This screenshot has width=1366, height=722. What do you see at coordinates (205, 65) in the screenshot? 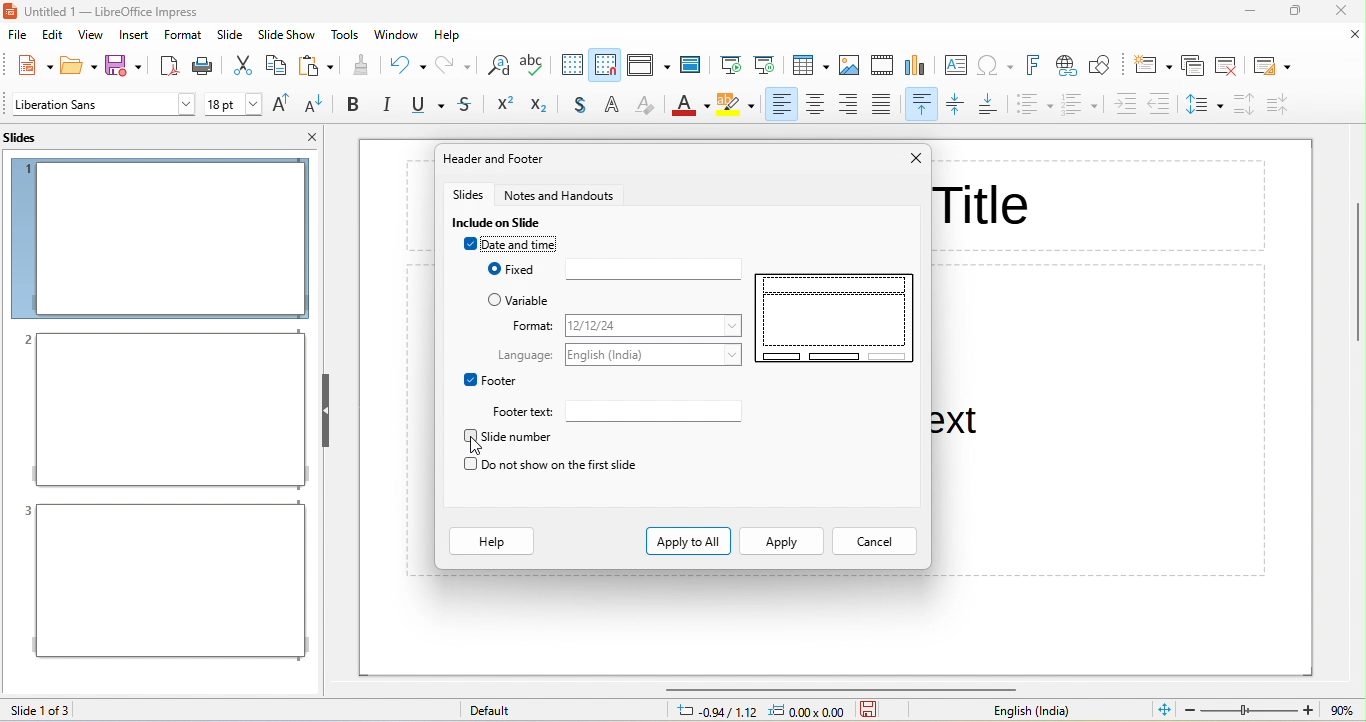
I see `print` at bounding box center [205, 65].